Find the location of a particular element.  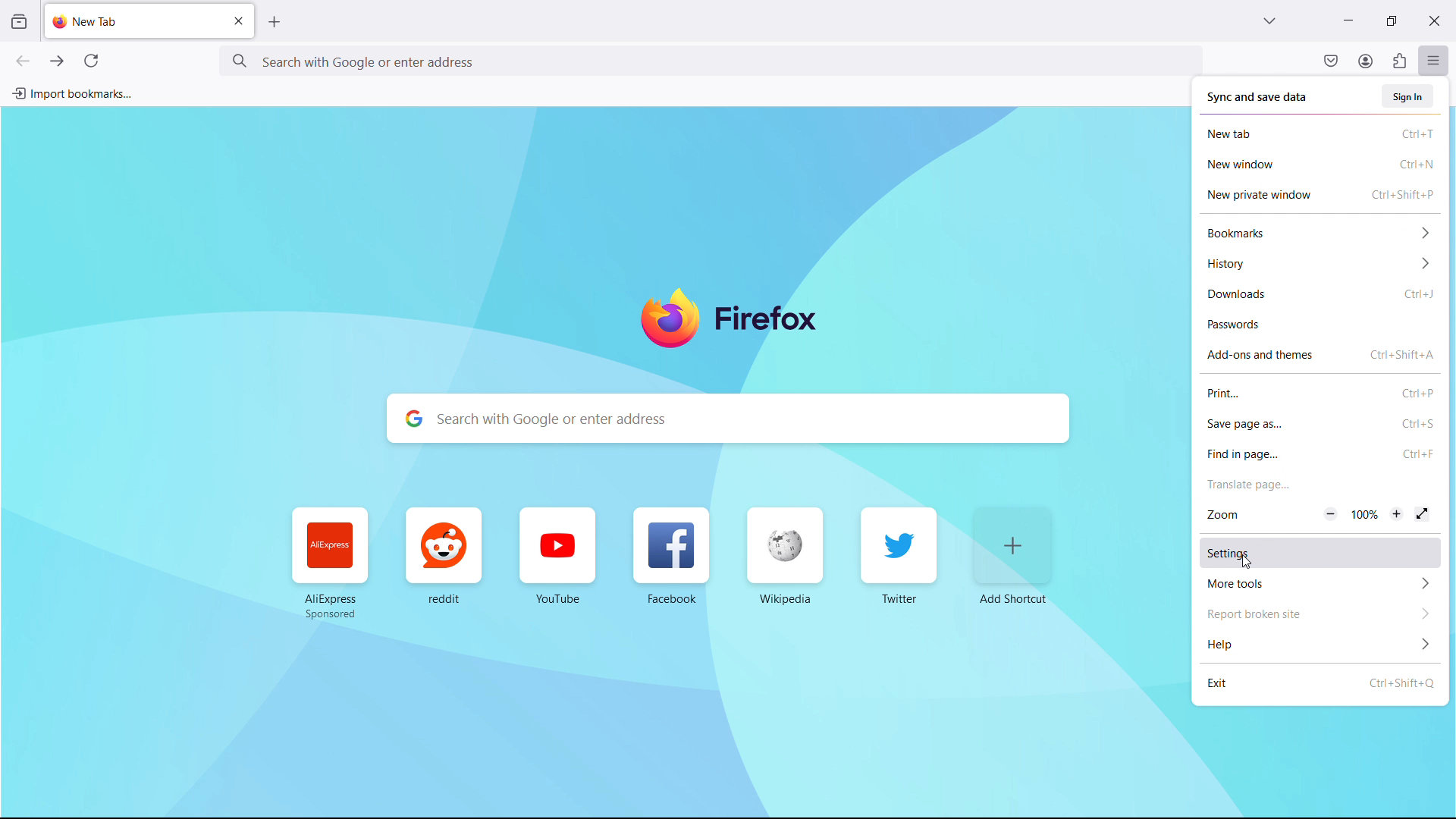

search with google or enter address is located at coordinates (710, 60).